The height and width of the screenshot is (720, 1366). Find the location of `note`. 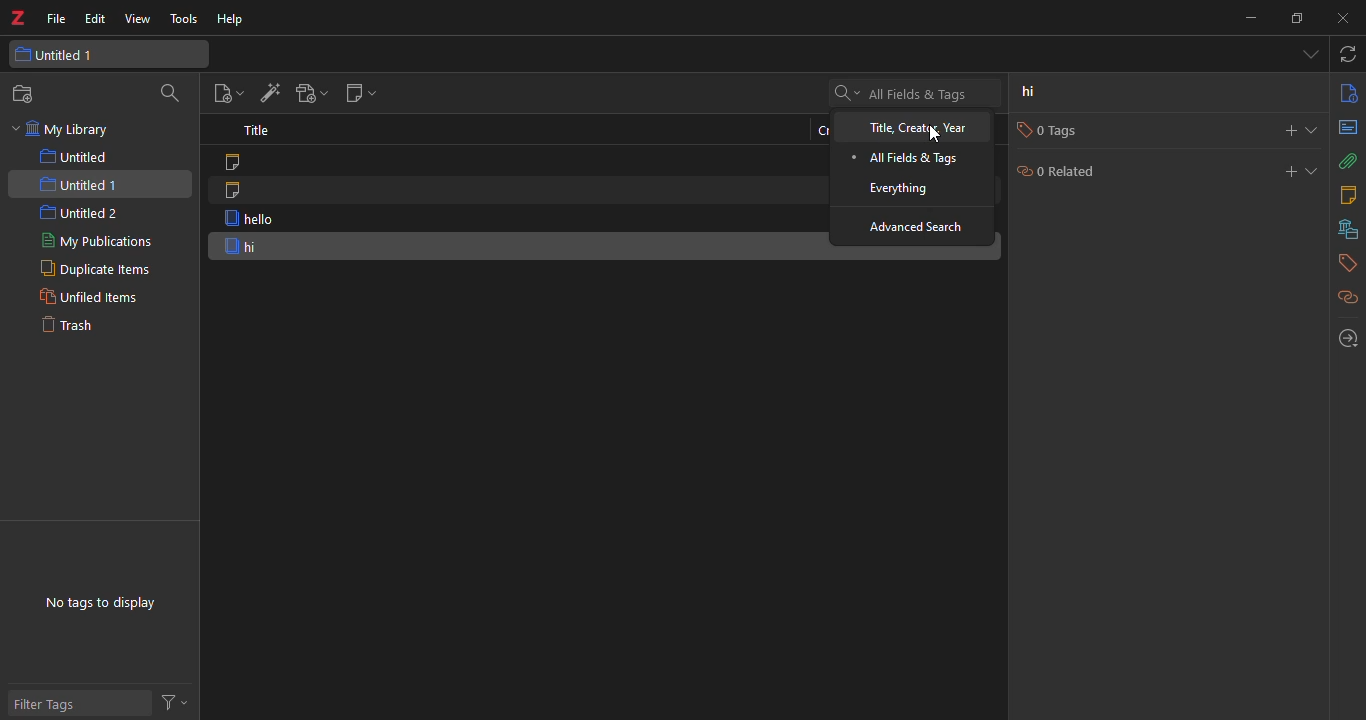

note is located at coordinates (235, 190).